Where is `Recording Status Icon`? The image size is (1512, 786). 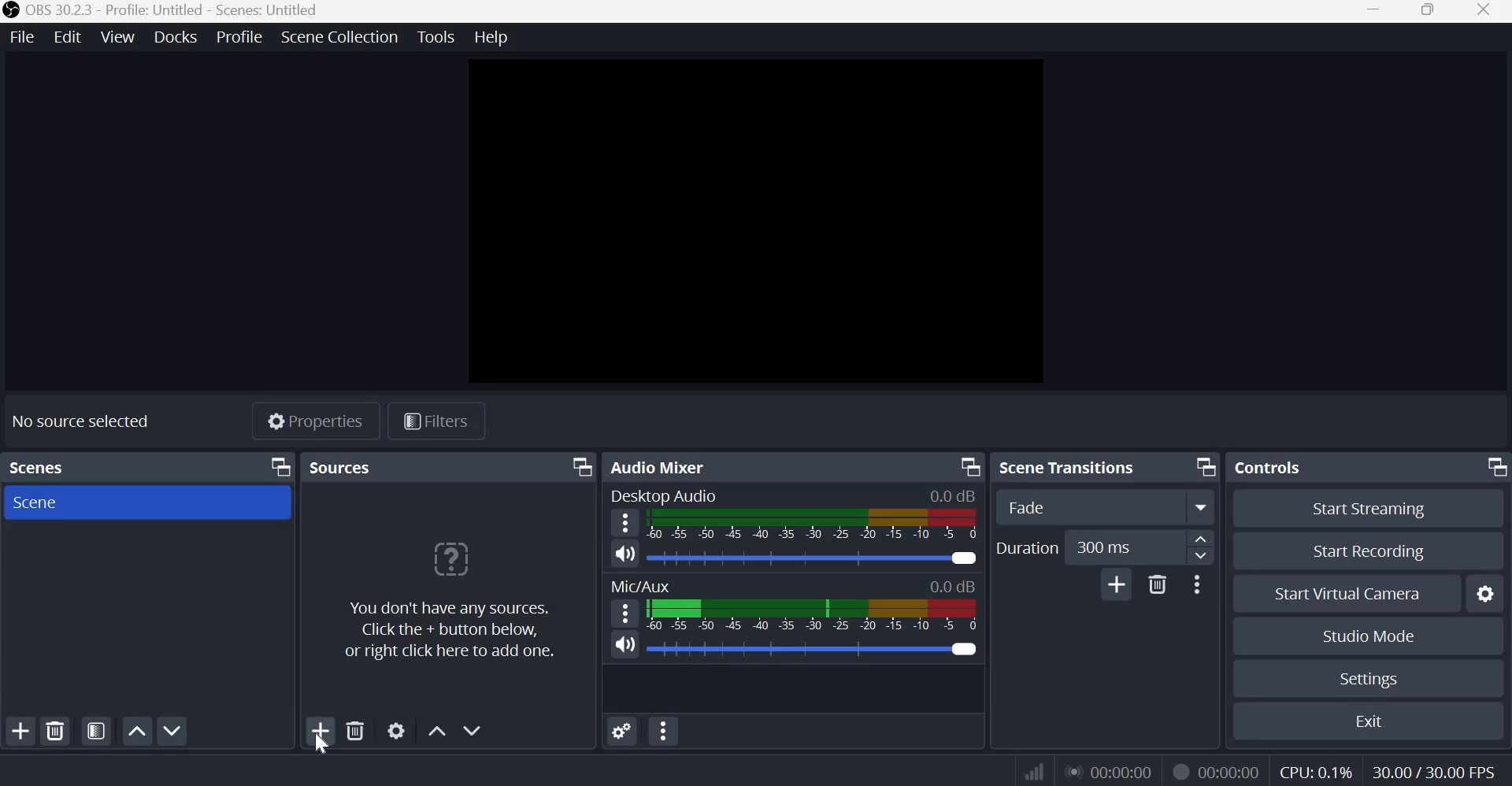 Recording Status Icon is located at coordinates (1178, 771).